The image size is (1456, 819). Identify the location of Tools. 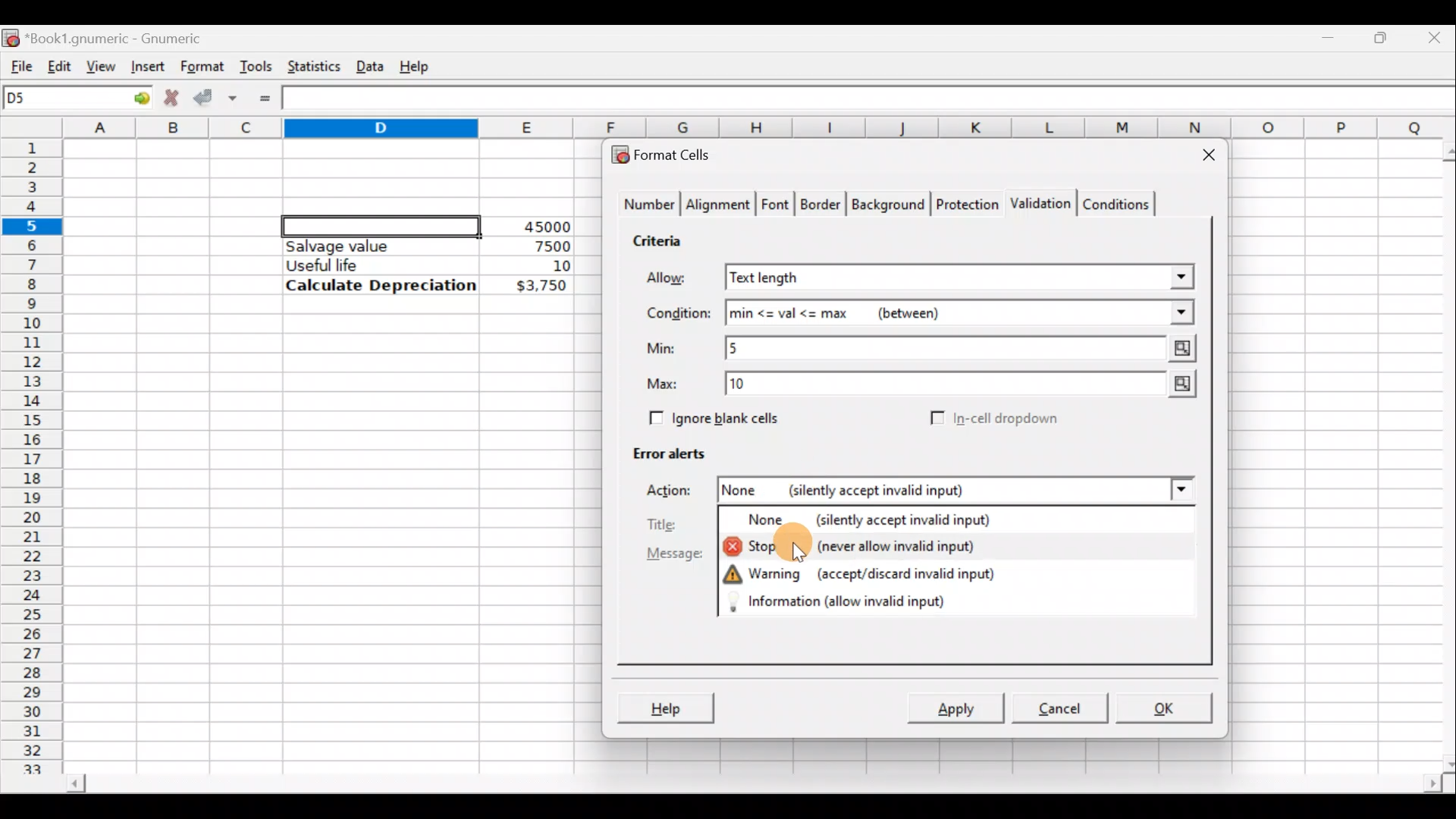
(256, 65).